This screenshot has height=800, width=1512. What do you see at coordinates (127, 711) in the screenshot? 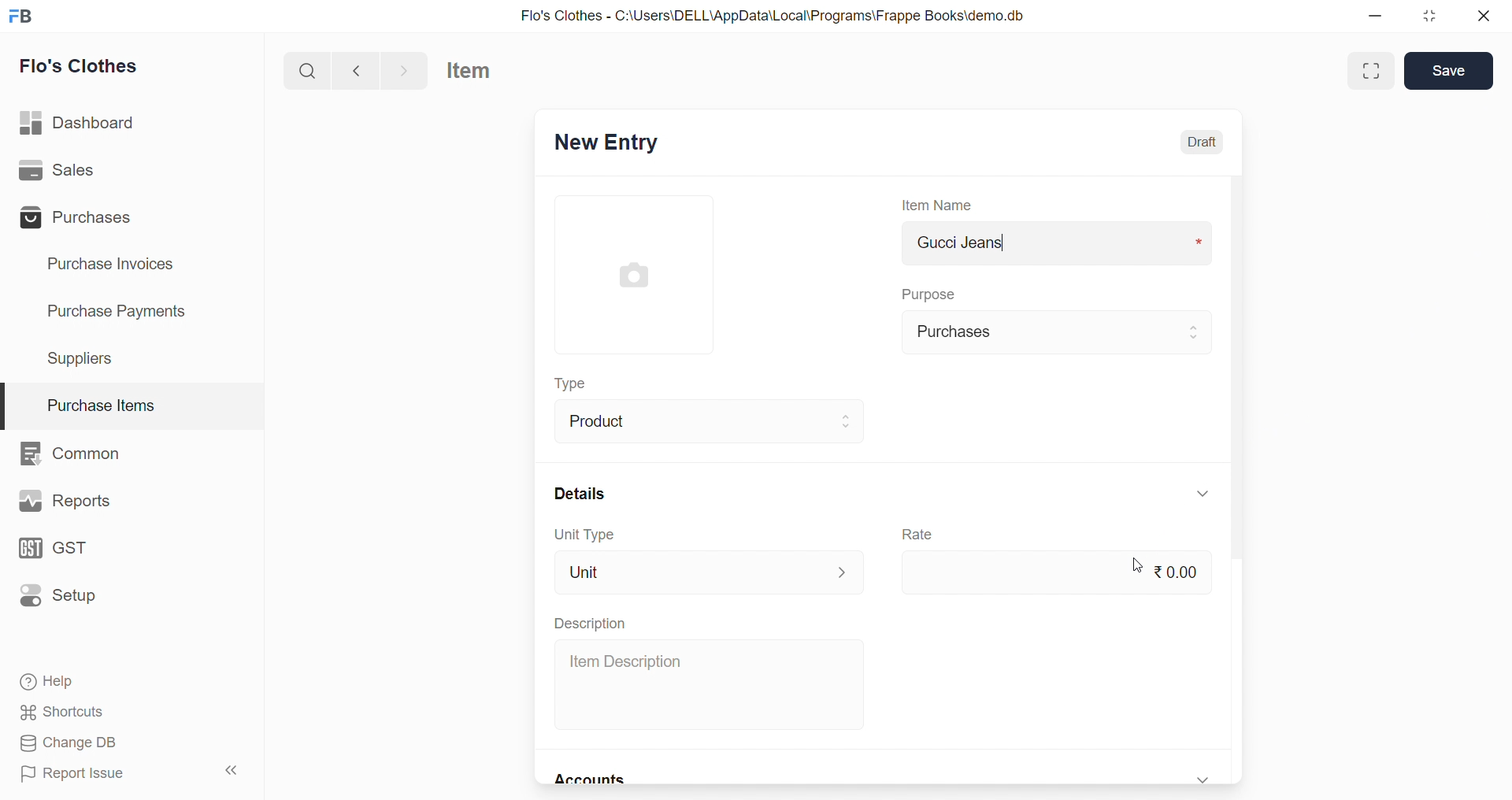
I see `Shortcuts` at bounding box center [127, 711].